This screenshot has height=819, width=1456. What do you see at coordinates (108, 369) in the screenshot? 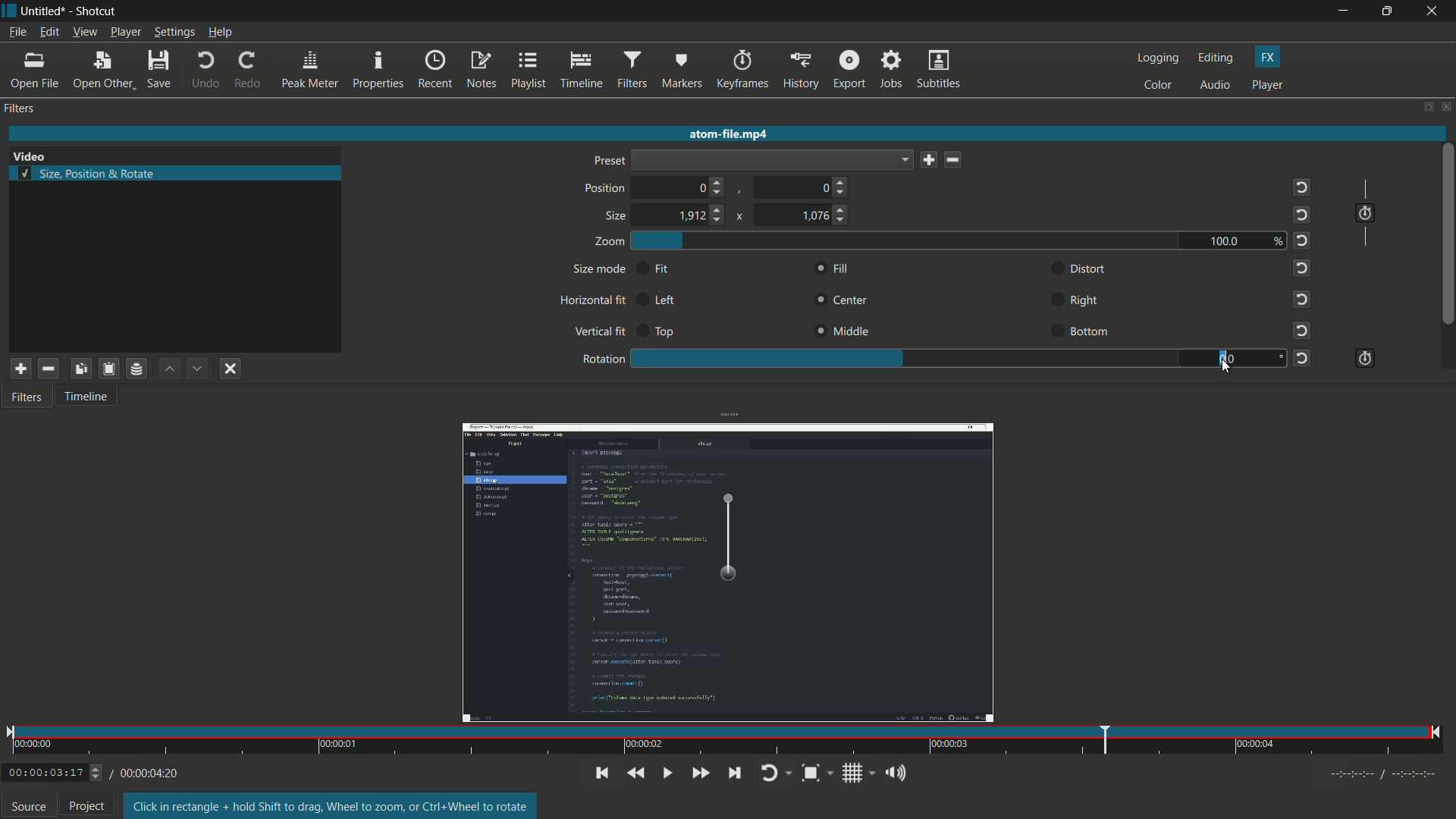
I see `paste filter` at bounding box center [108, 369].